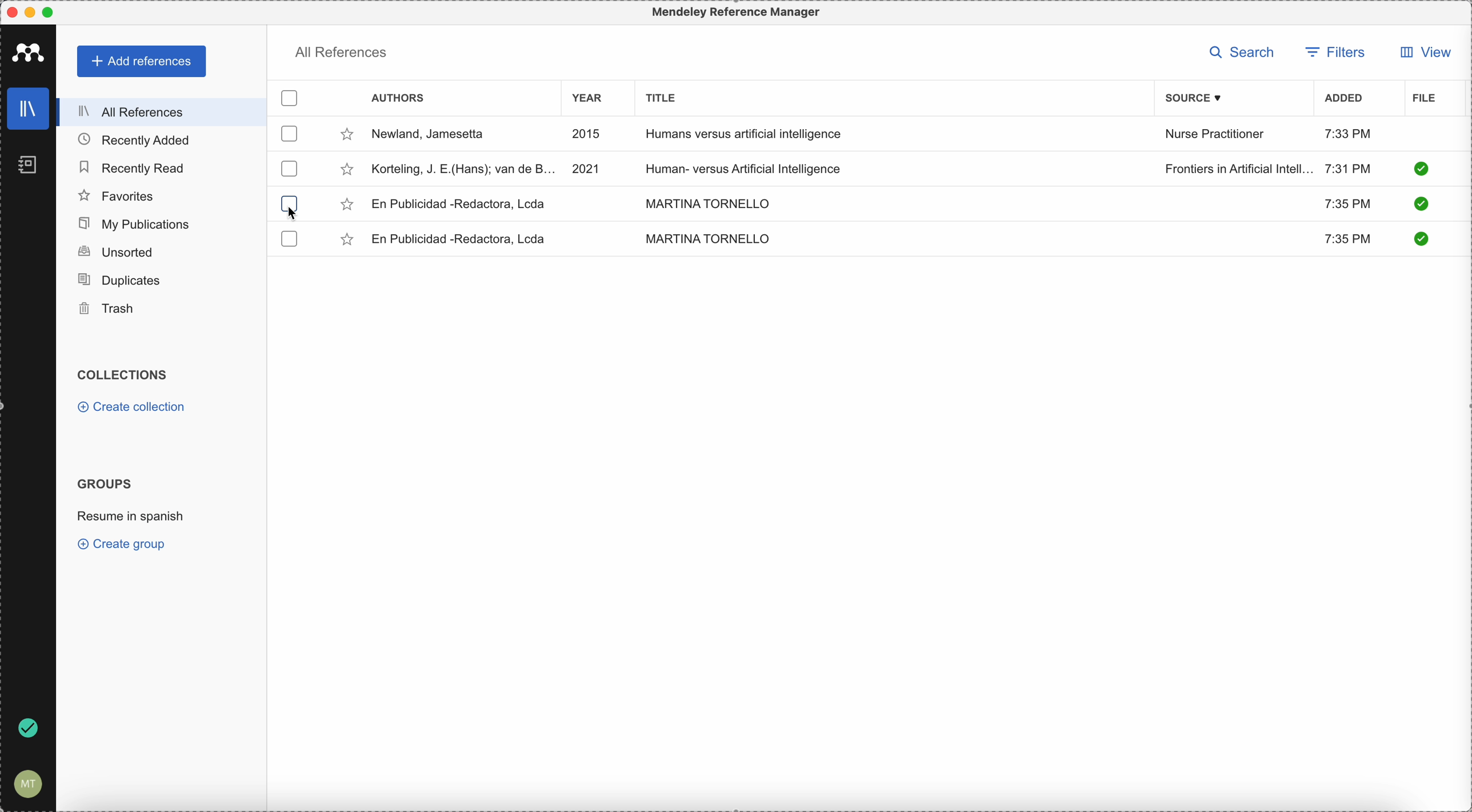 This screenshot has width=1472, height=812. What do you see at coordinates (104, 482) in the screenshot?
I see `groups` at bounding box center [104, 482].